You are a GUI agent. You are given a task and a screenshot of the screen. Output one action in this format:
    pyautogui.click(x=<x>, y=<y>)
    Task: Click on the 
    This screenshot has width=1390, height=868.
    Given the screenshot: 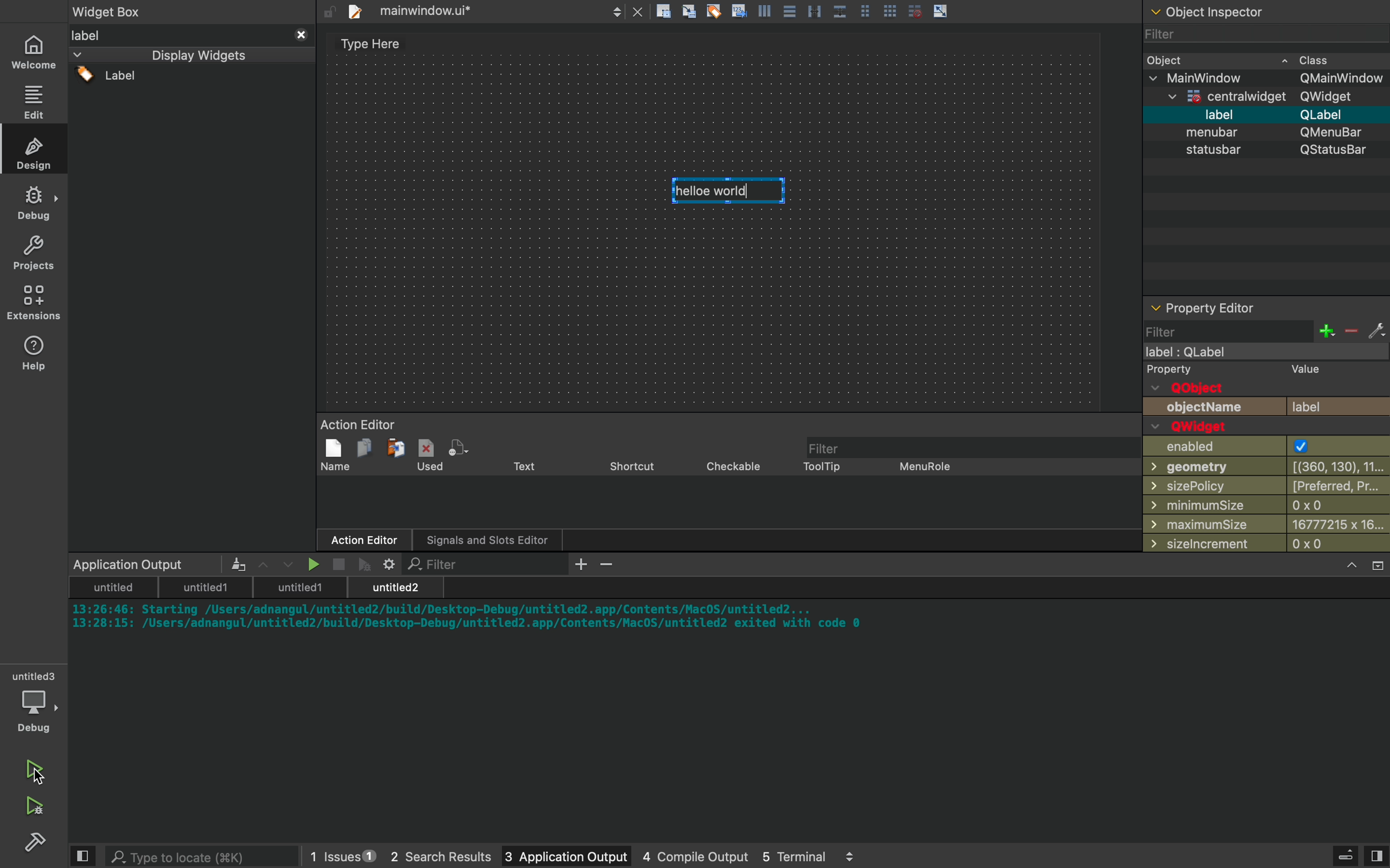 What is the action you would take?
    pyautogui.click(x=1264, y=115)
    